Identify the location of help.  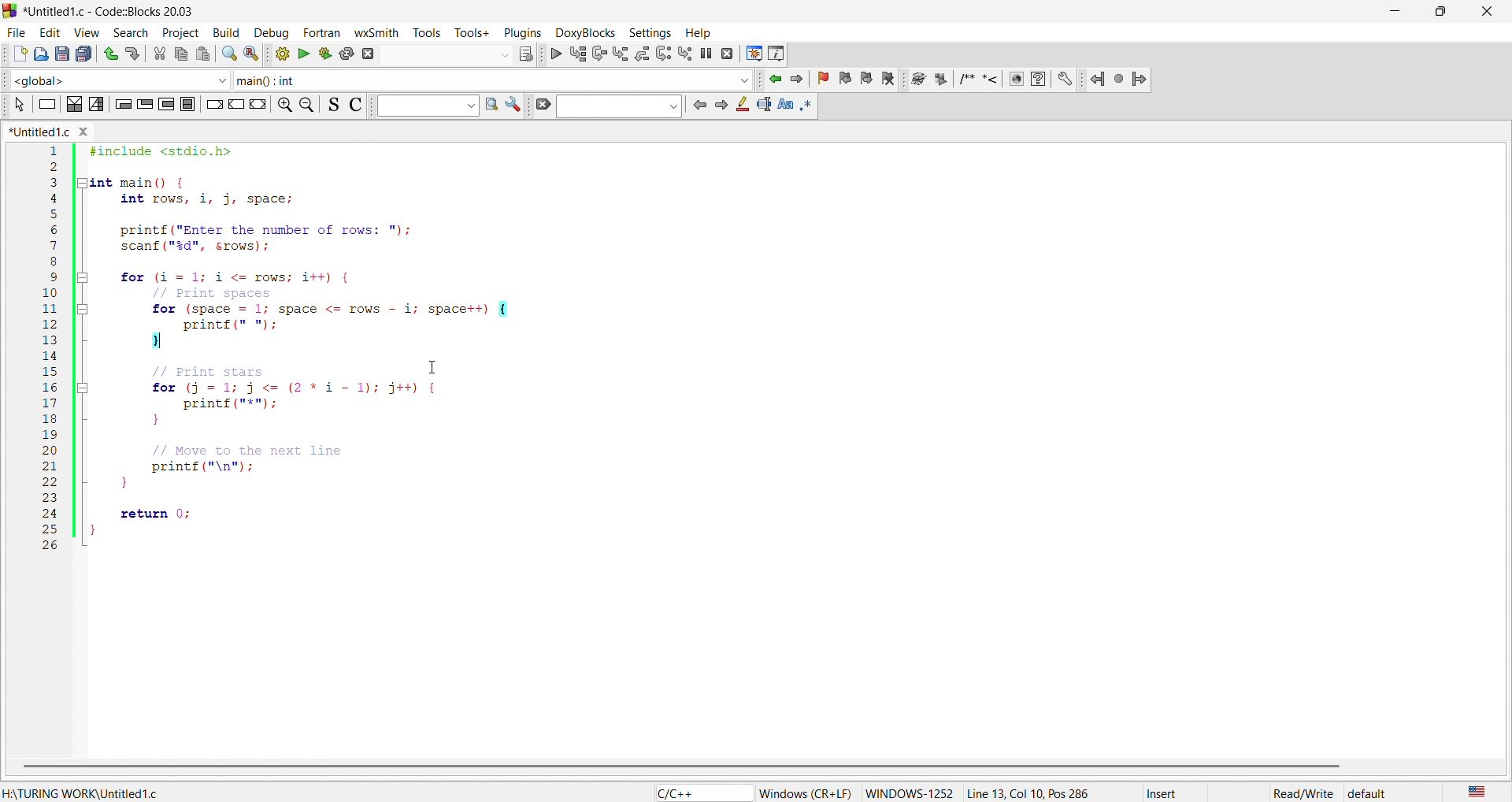
(698, 32).